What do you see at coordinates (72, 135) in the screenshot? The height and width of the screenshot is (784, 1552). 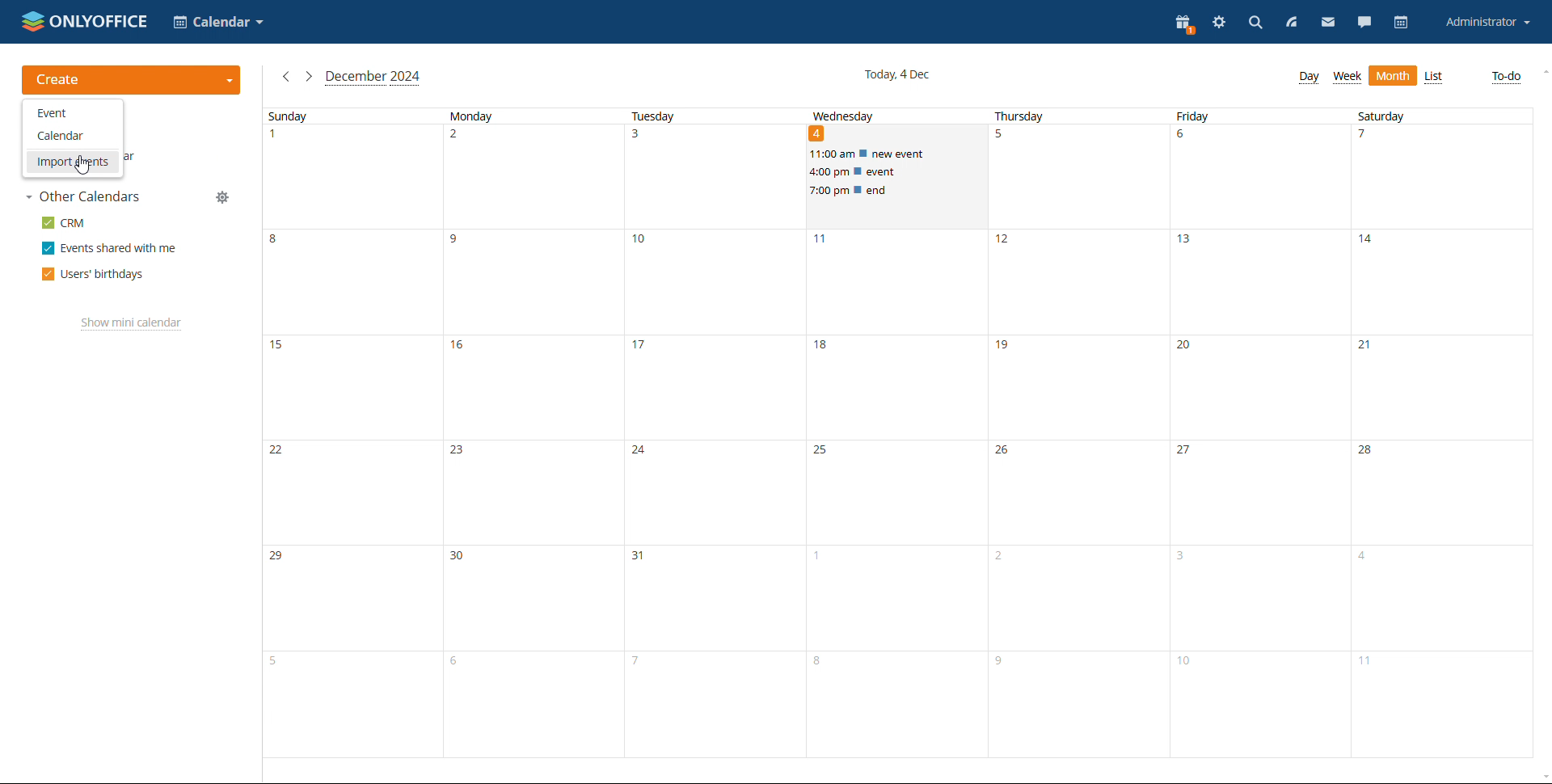 I see `calendar` at bounding box center [72, 135].